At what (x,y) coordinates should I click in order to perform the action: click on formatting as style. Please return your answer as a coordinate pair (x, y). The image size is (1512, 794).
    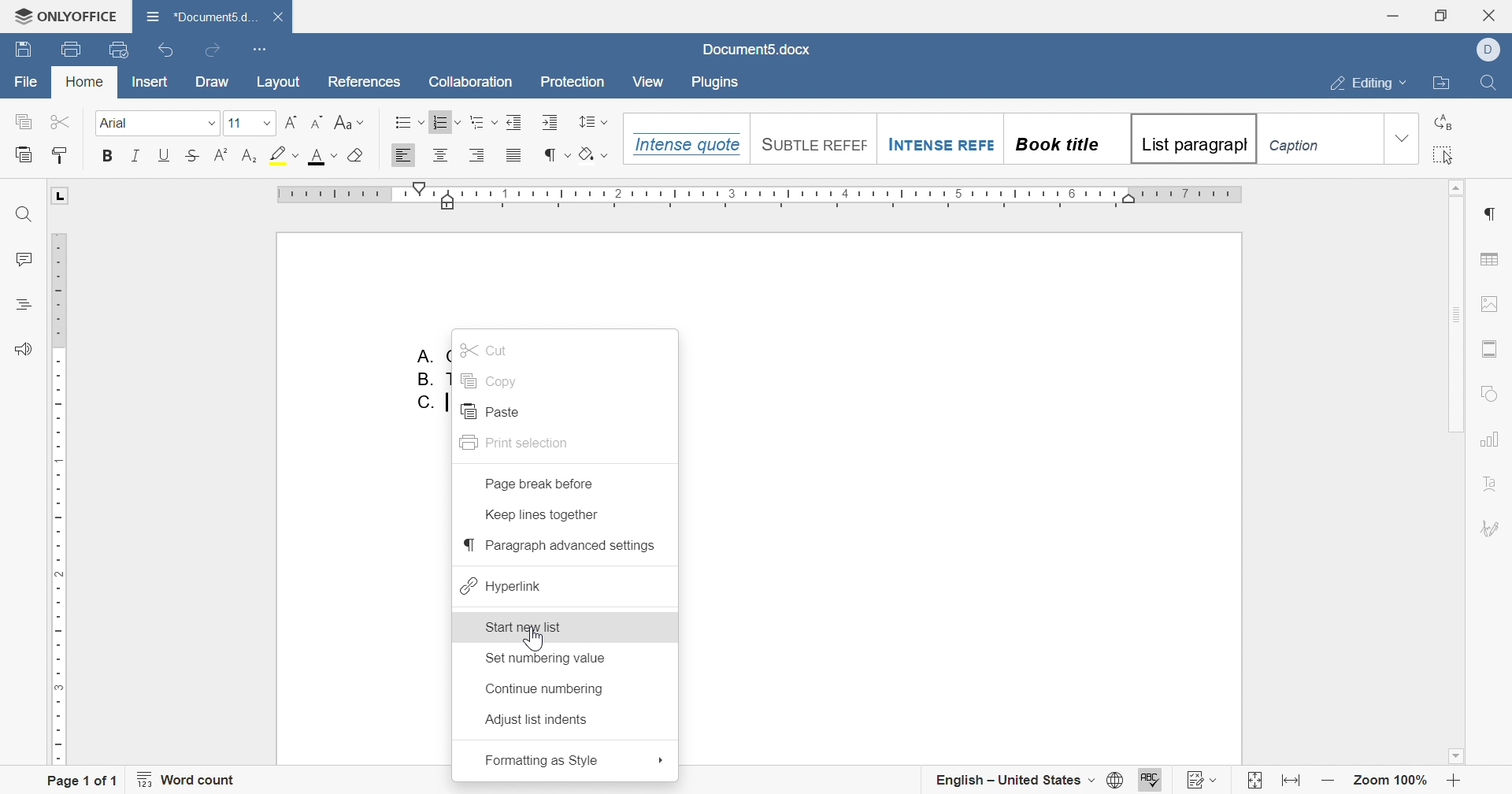
    Looking at the image, I should click on (543, 761).